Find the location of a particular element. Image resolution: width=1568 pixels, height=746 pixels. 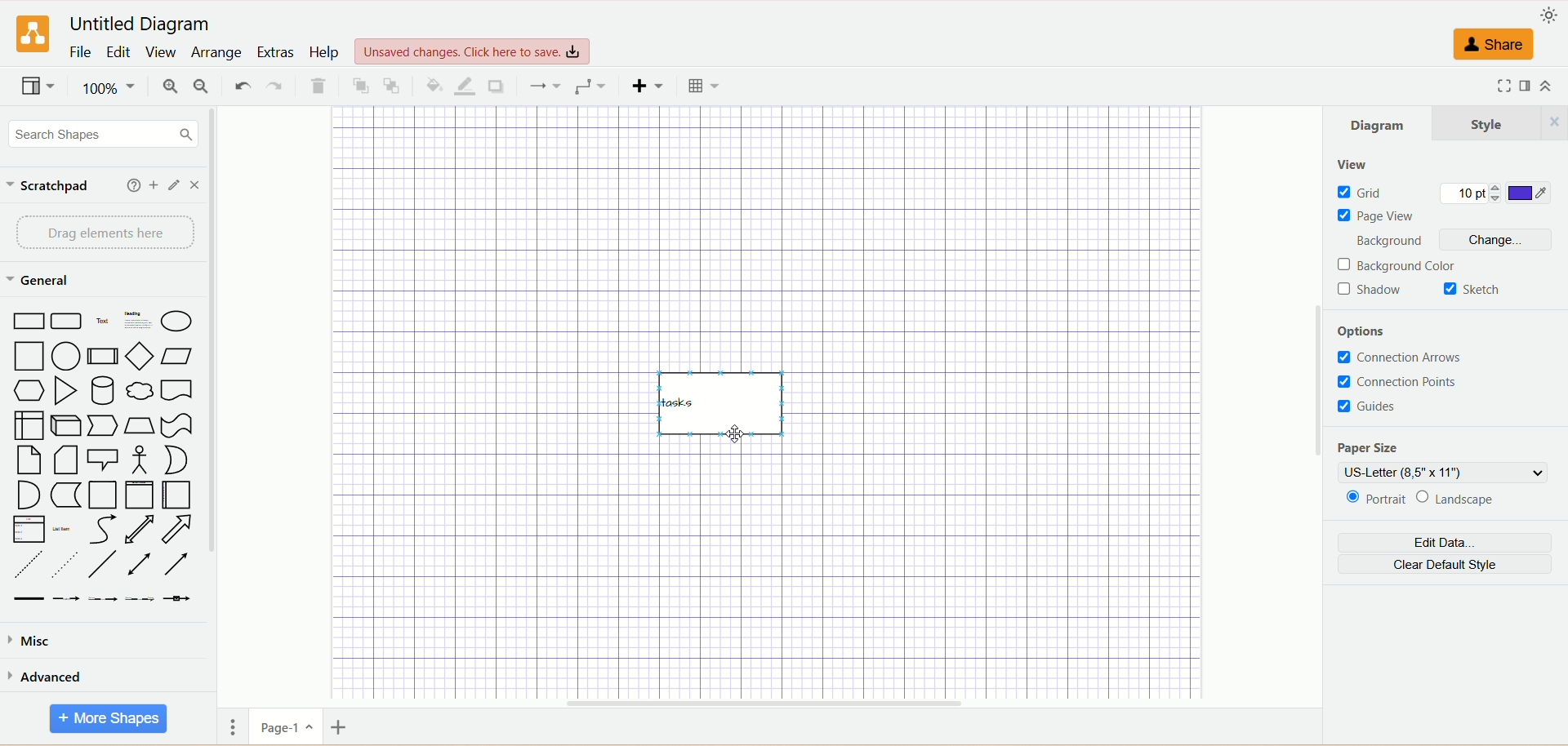

edit is located at coordinates (118, 51).